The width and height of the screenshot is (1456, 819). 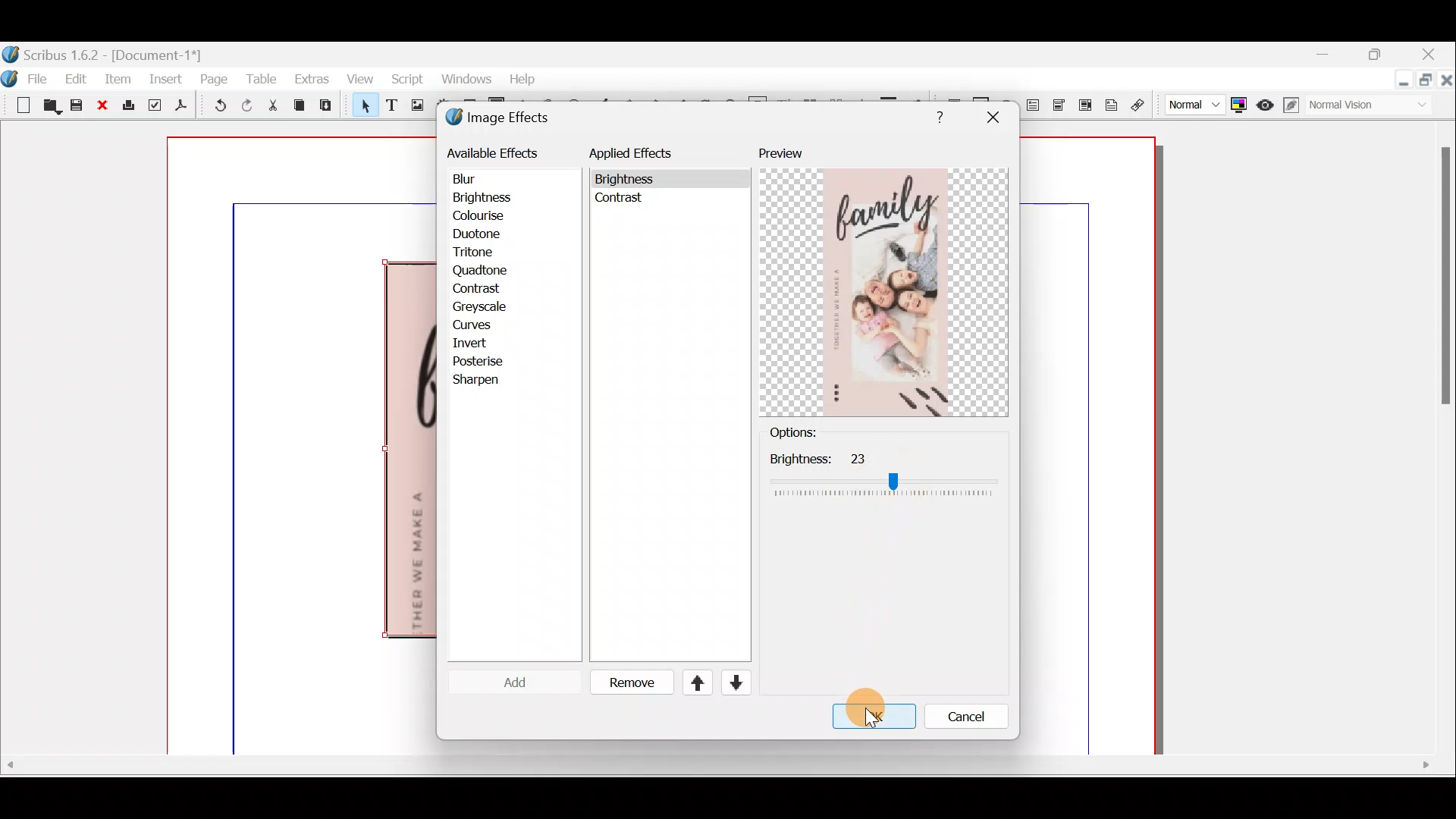 What do you see at coordinates (883, 474) in the screenshot?
I see `` at bounding box center [883, 474].